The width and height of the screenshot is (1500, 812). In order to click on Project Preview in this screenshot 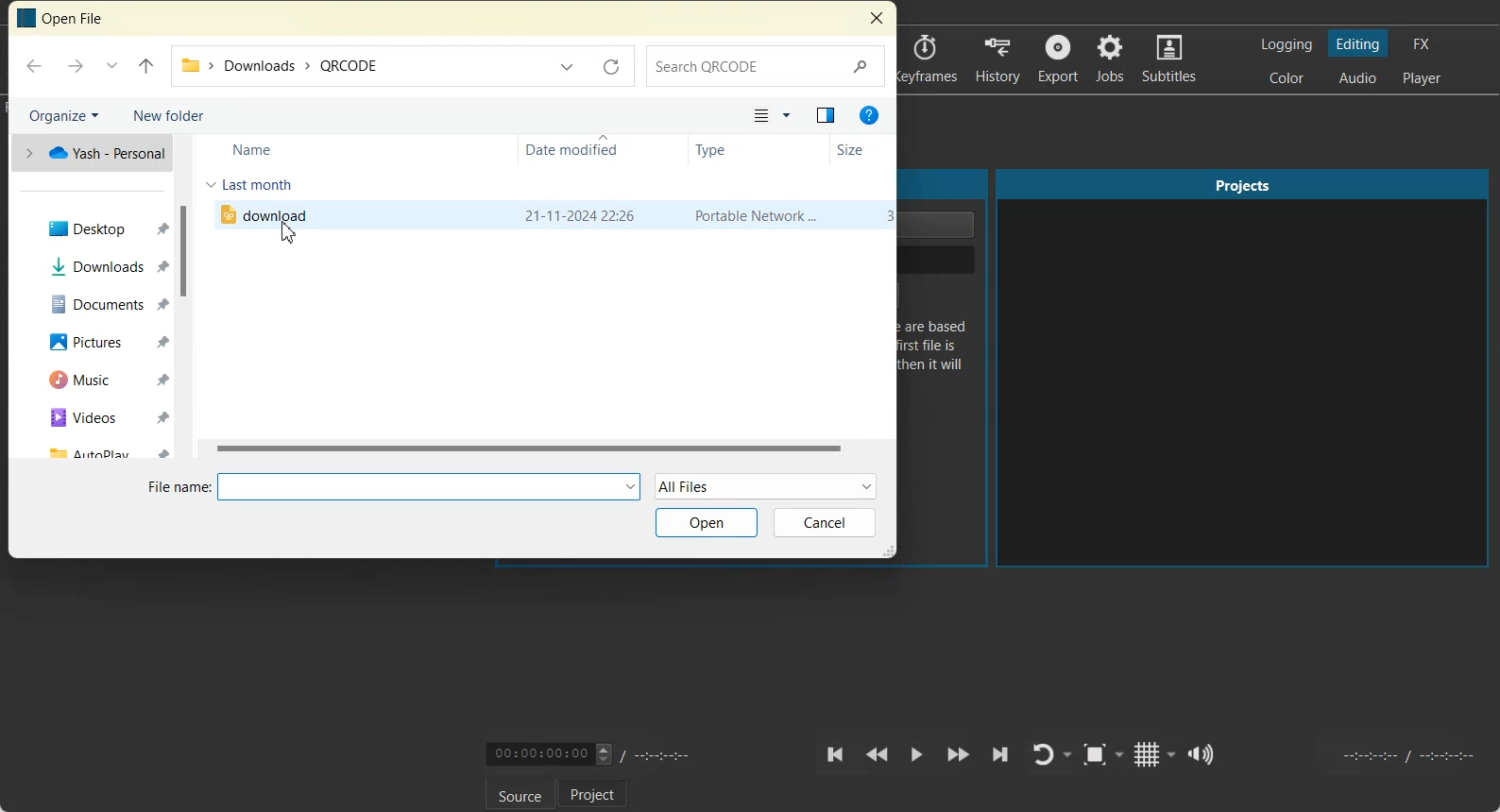, I will do `click(1244, 369)`.